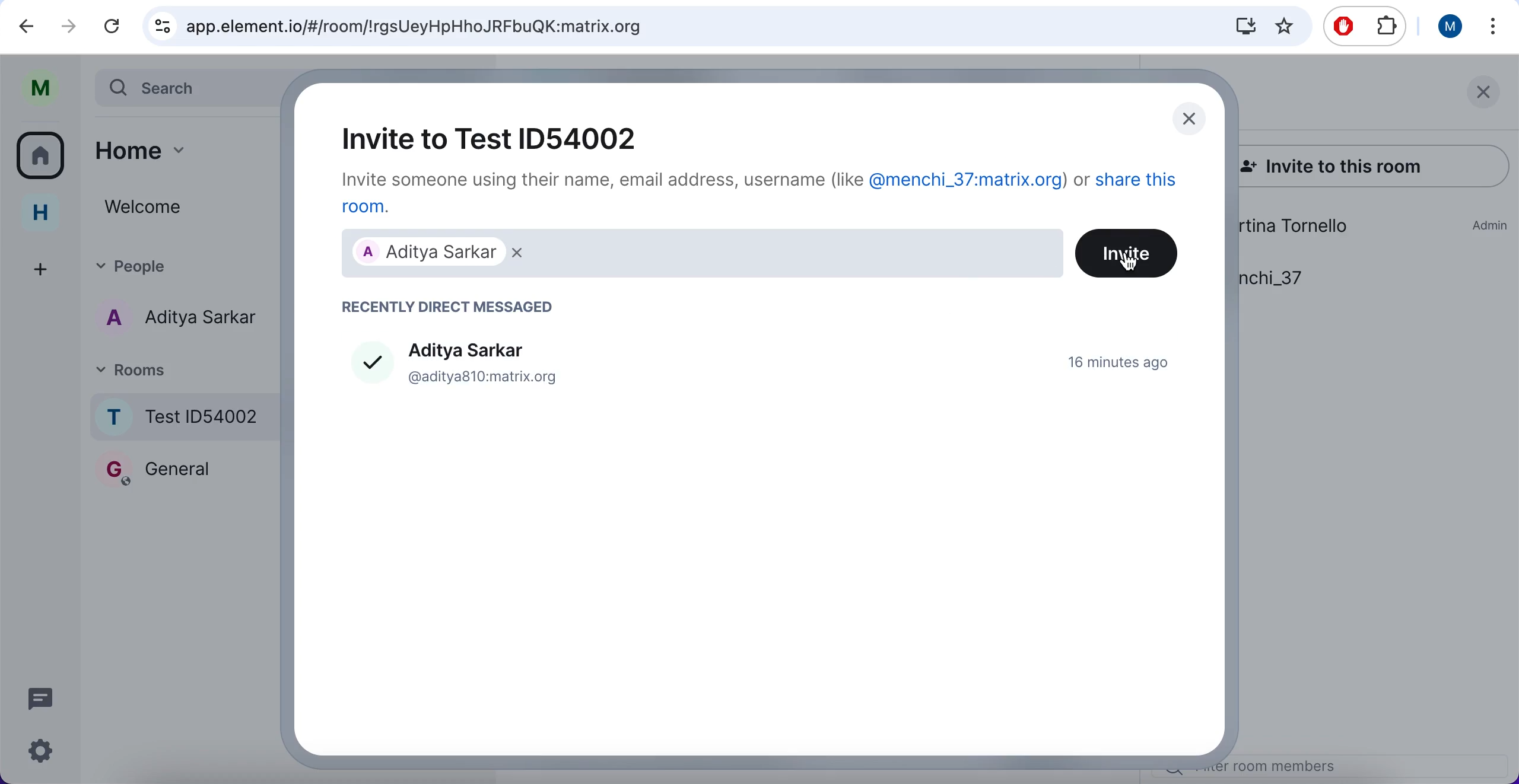 The height and width of the screenshot is (784, 1519). Describe the element at coordinates (1130, 263) in the screenshot. I see `cursor` at that location.